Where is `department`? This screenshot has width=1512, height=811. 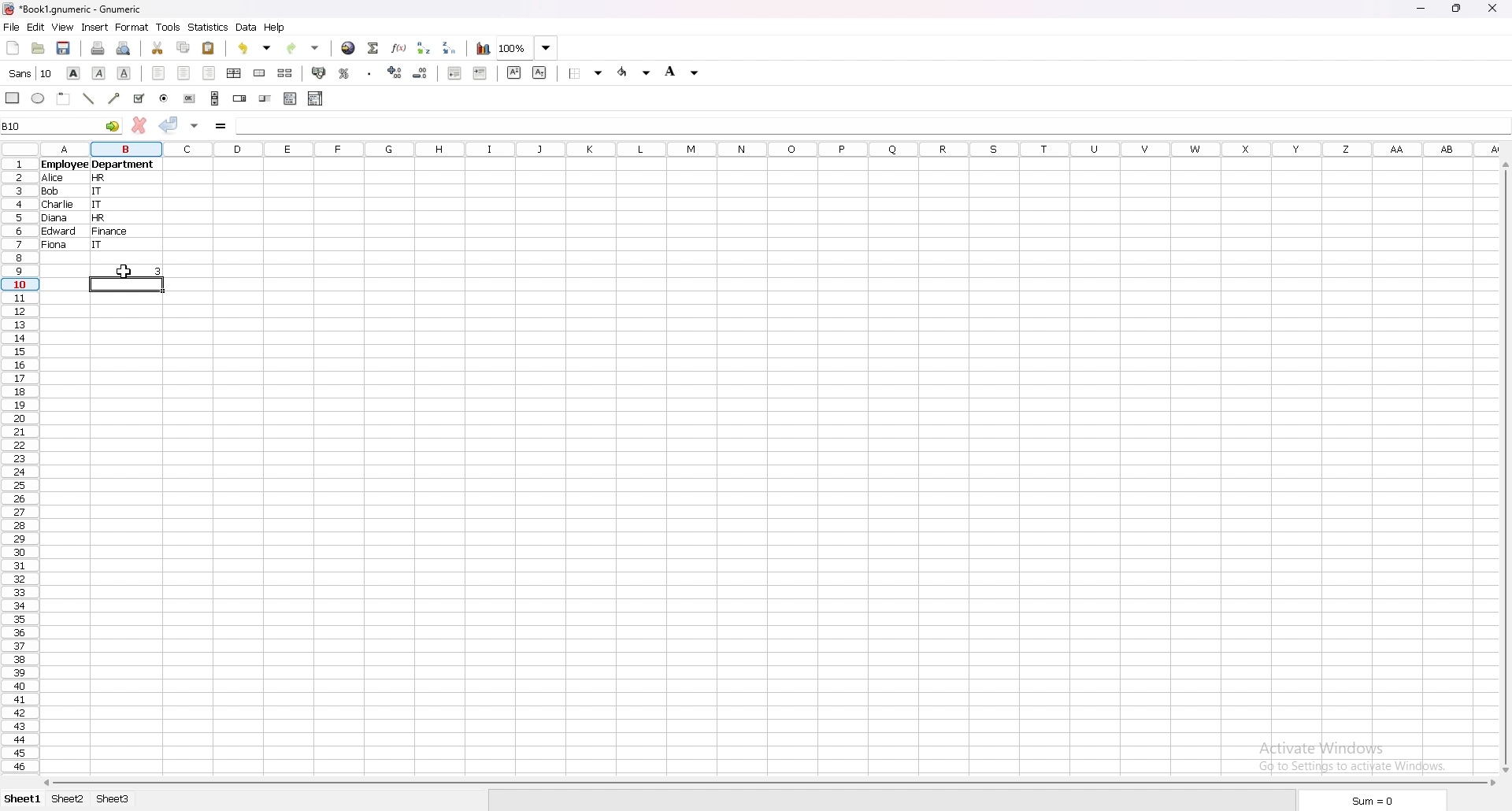 department is located at coordinates (124, 167).